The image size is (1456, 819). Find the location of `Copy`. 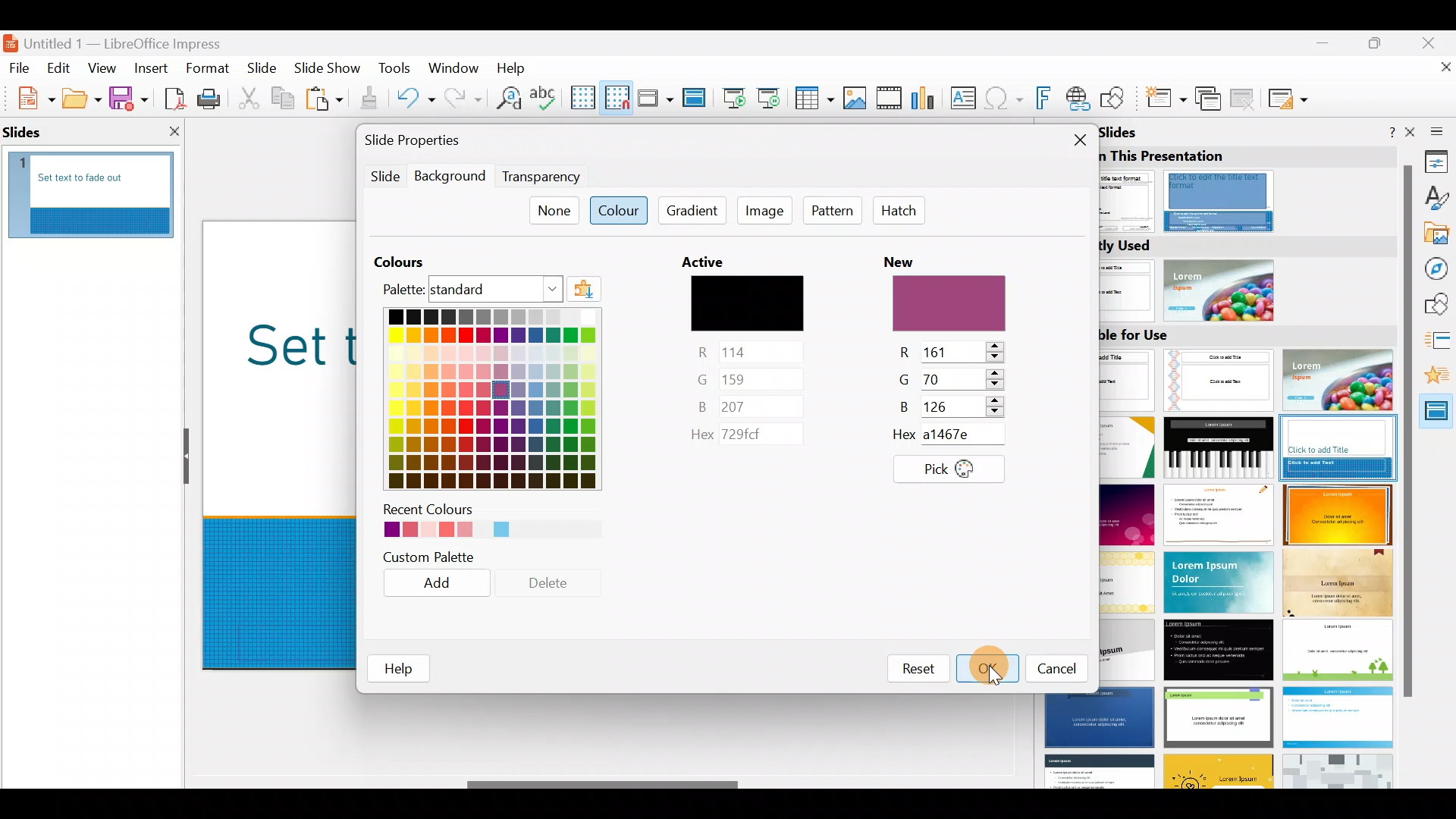

Copy is located at coordinates (281, 99).